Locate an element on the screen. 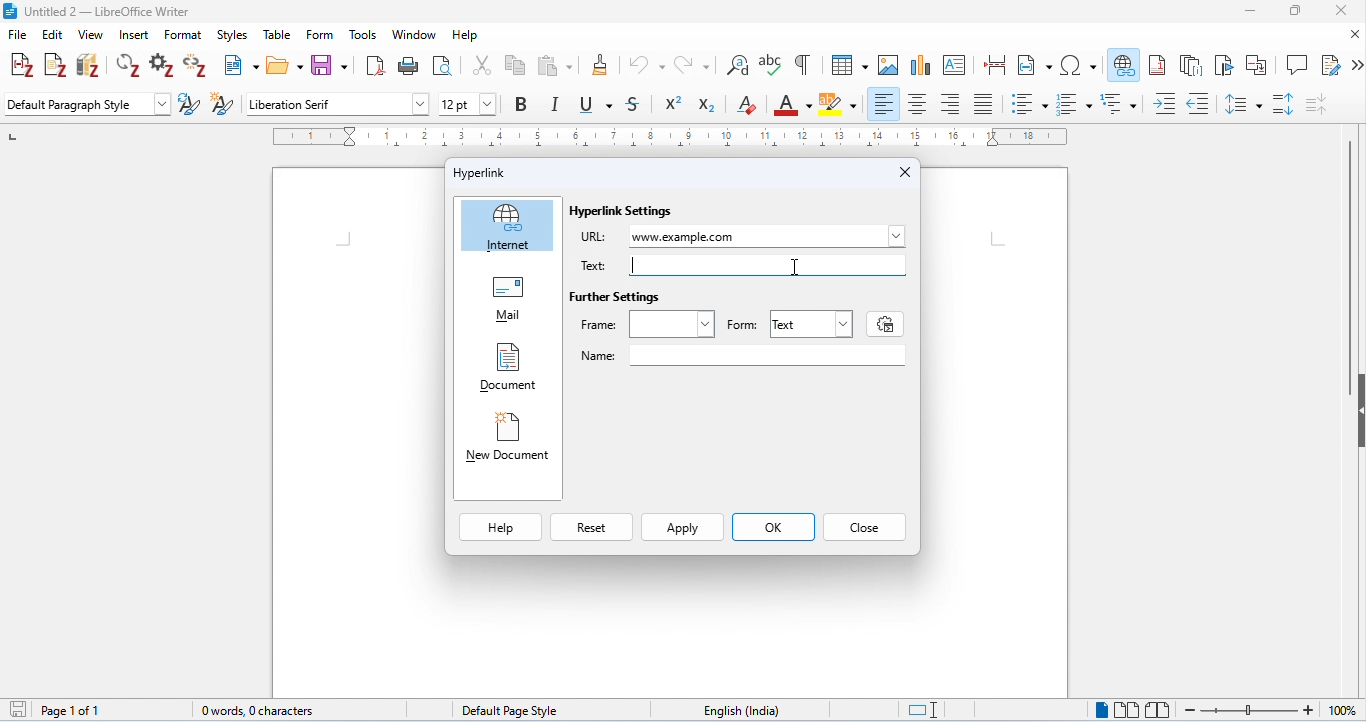 The image size is (1366, 722). multipage view is located at coordinates (1125, 709).